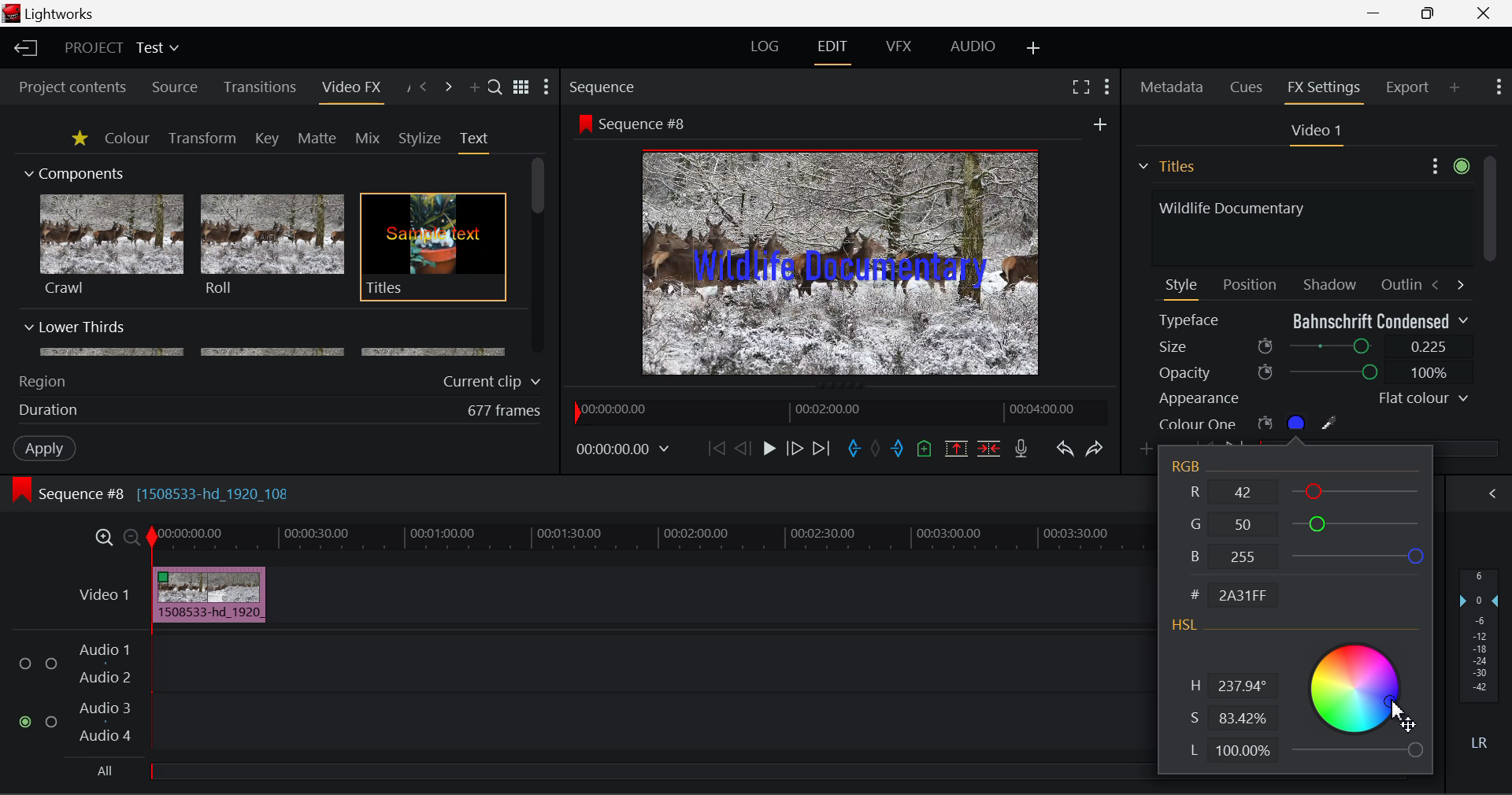 The height and width of the screenshot is (795, 1512). What do you see at coordinates (836, 52) in the screenshot?
I see `EDIT Layout Open` at bounding box center [836, 52].